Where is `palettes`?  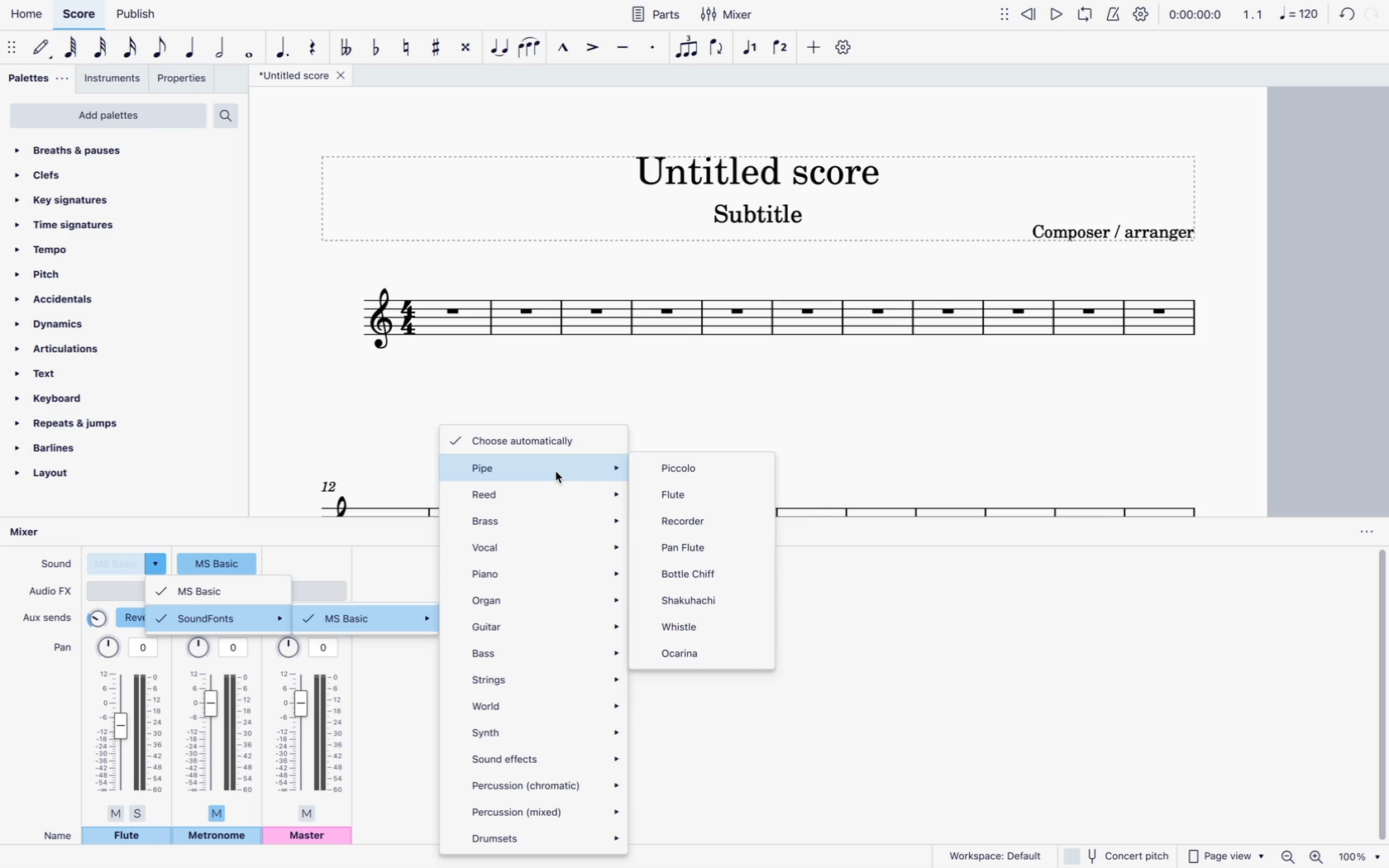
palettes is located at coordinates (39, 81).